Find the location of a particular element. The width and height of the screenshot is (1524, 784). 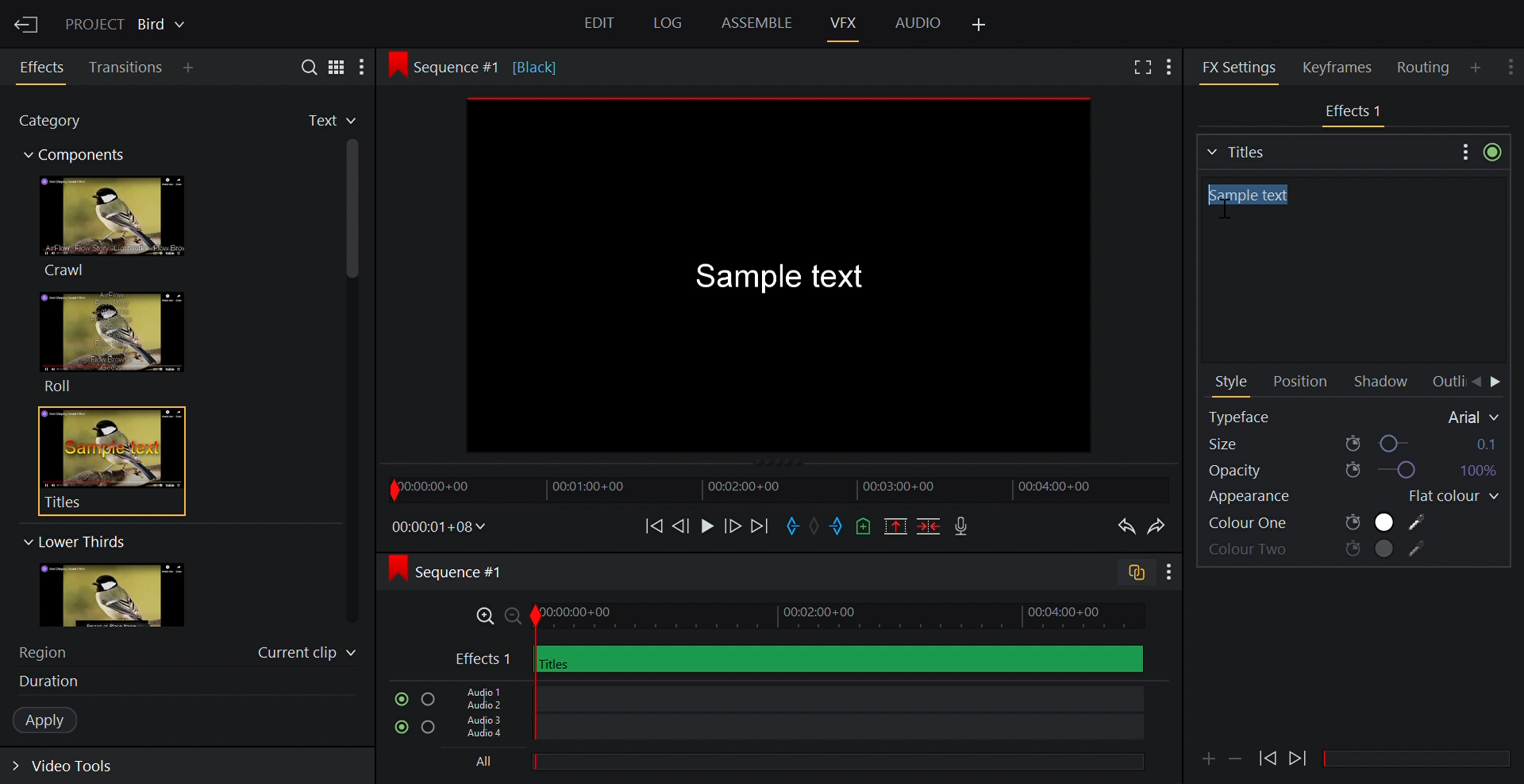

cursor is located at coordinates (1223, 211).